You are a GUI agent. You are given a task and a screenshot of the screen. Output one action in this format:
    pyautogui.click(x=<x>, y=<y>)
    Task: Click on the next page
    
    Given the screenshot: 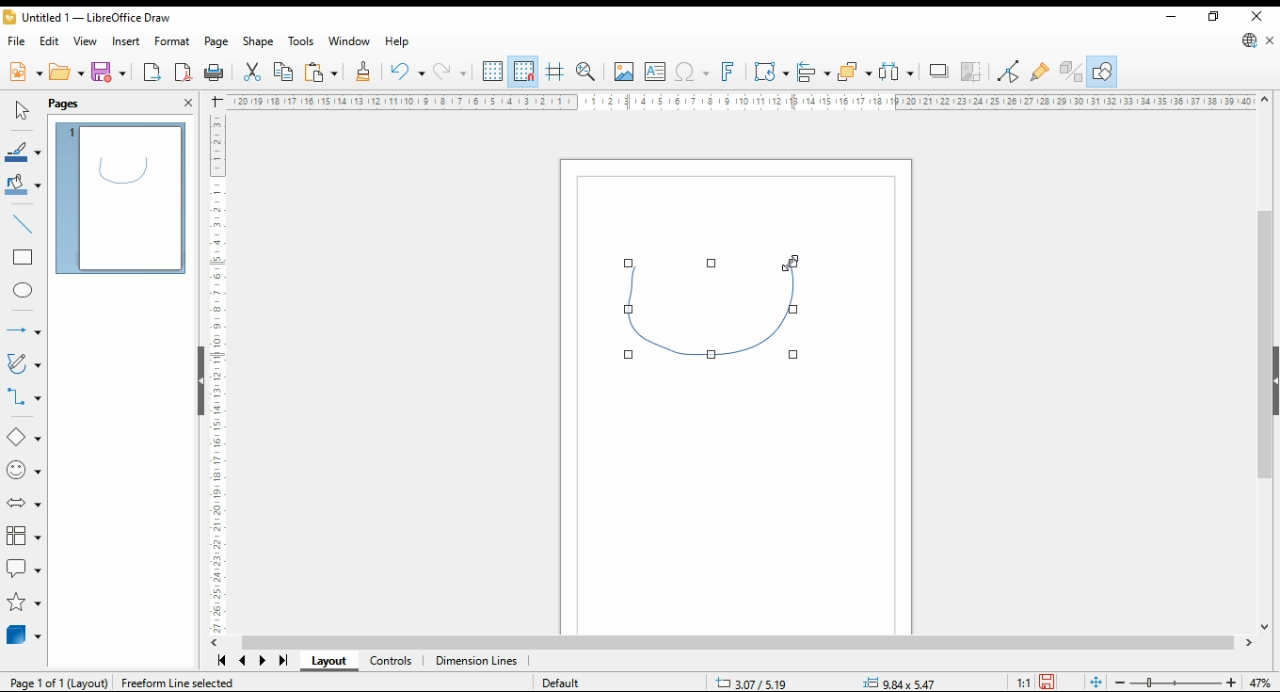 What is the action you would take?
    pyautogui.click(x=262, y=661)
    